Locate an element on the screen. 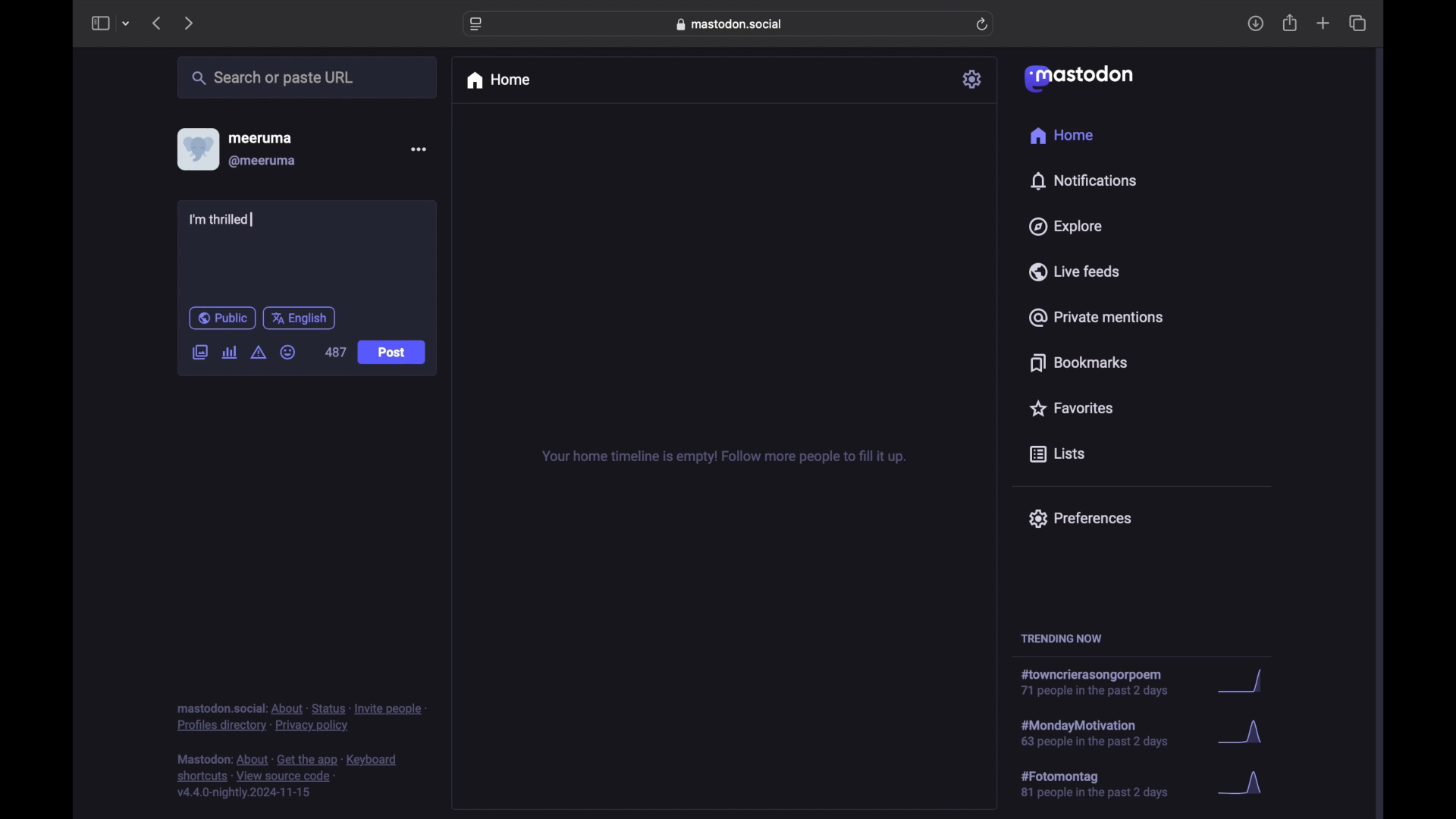 This screenshot has width=1456, height=819. 487 is located at coordinates (336, 353).